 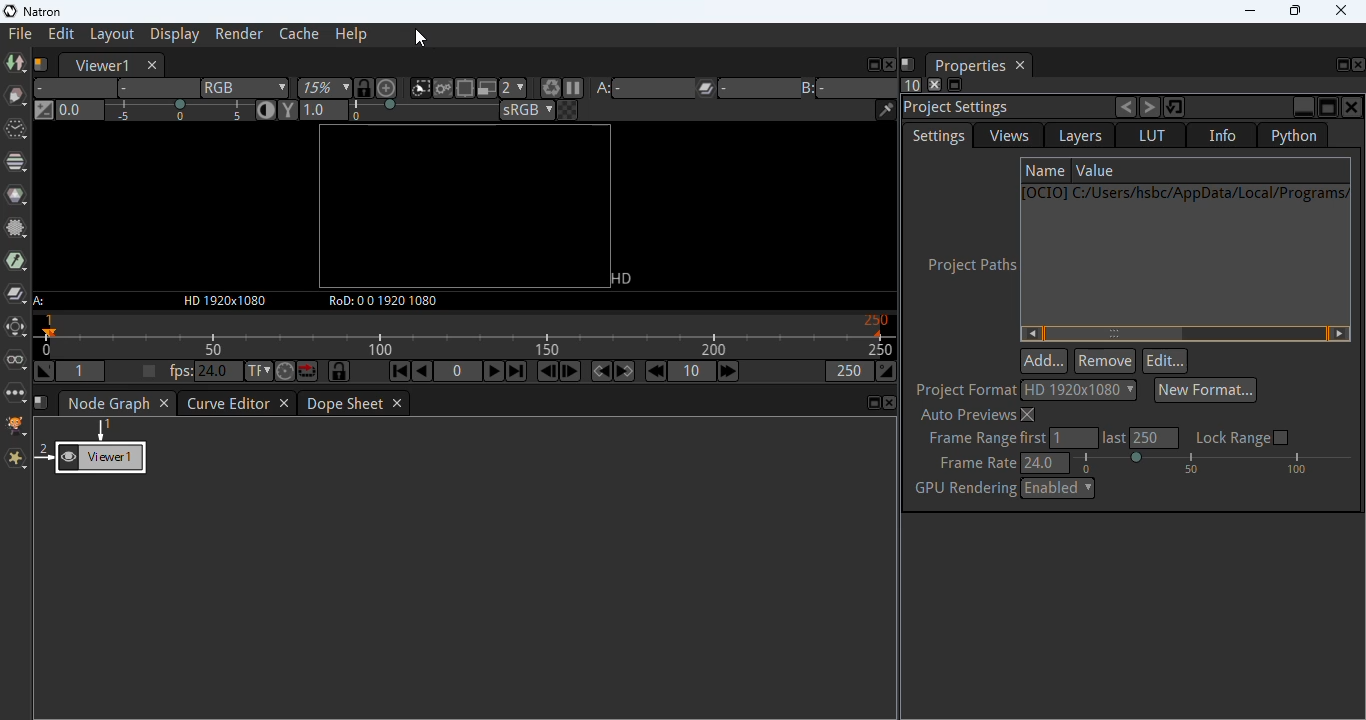 What do you see at coordinates (266, 110) in the screenshot?
I see `auto-contrast` at bounding box center [266, 110].